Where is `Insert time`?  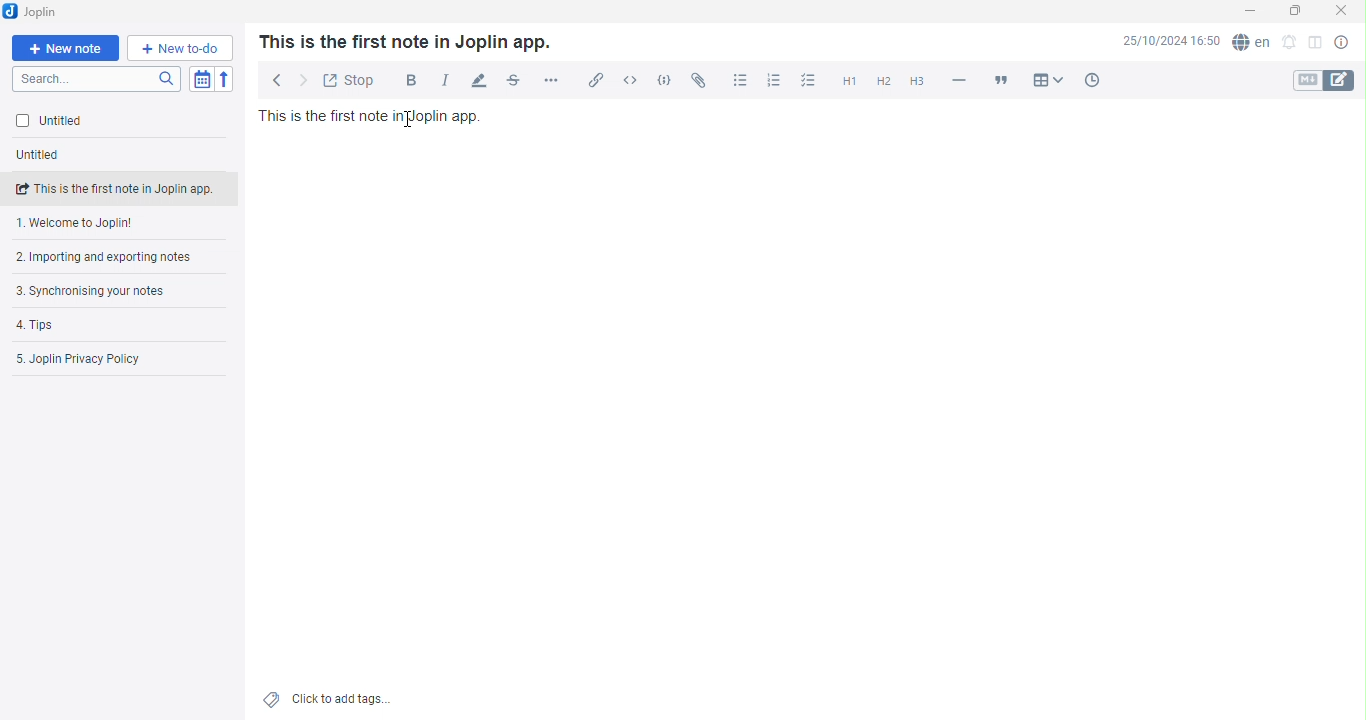
Insert time is located at coordinates (1088, 79).